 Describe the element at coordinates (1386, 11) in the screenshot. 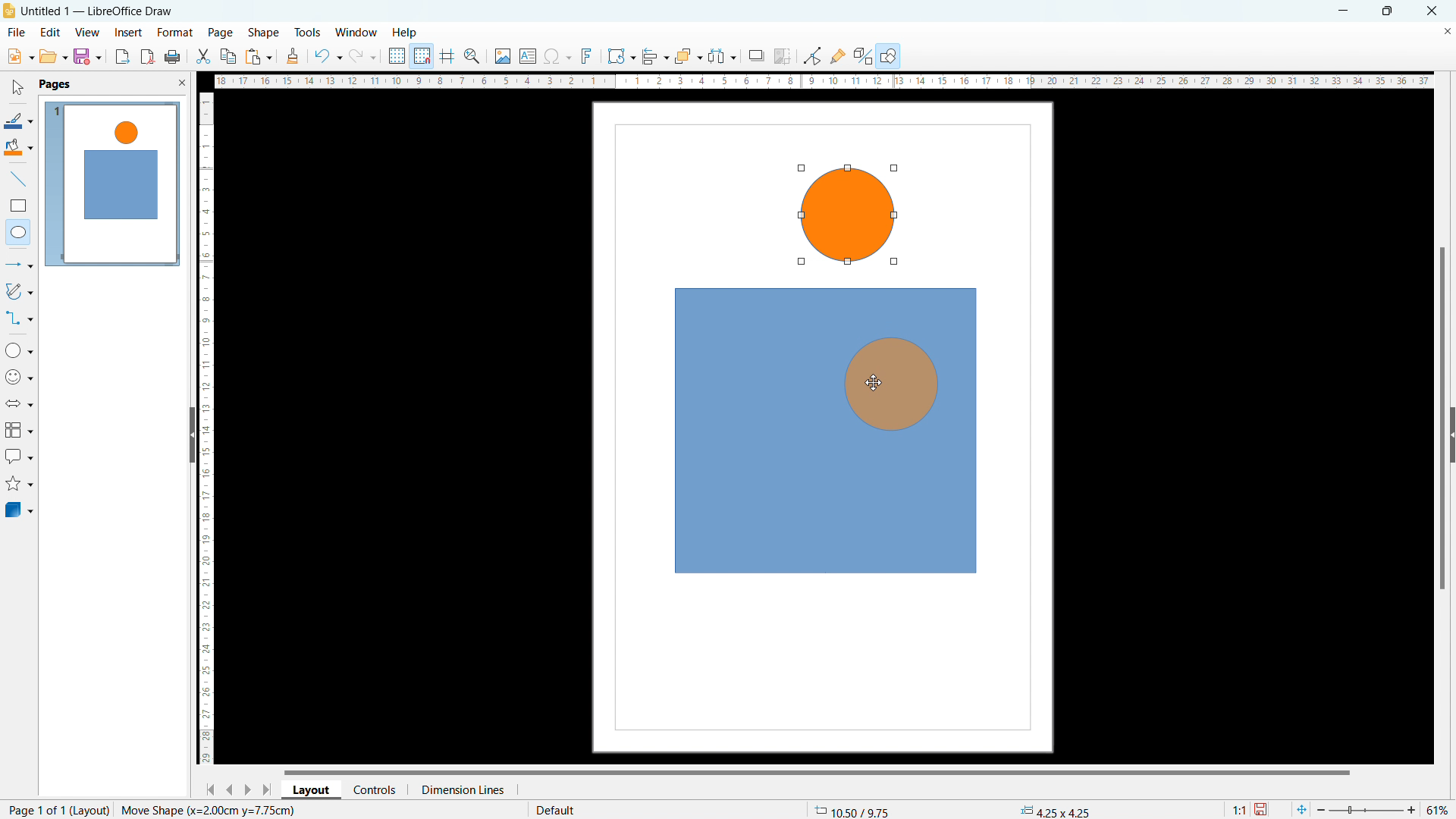

I see `maximize` at that location.